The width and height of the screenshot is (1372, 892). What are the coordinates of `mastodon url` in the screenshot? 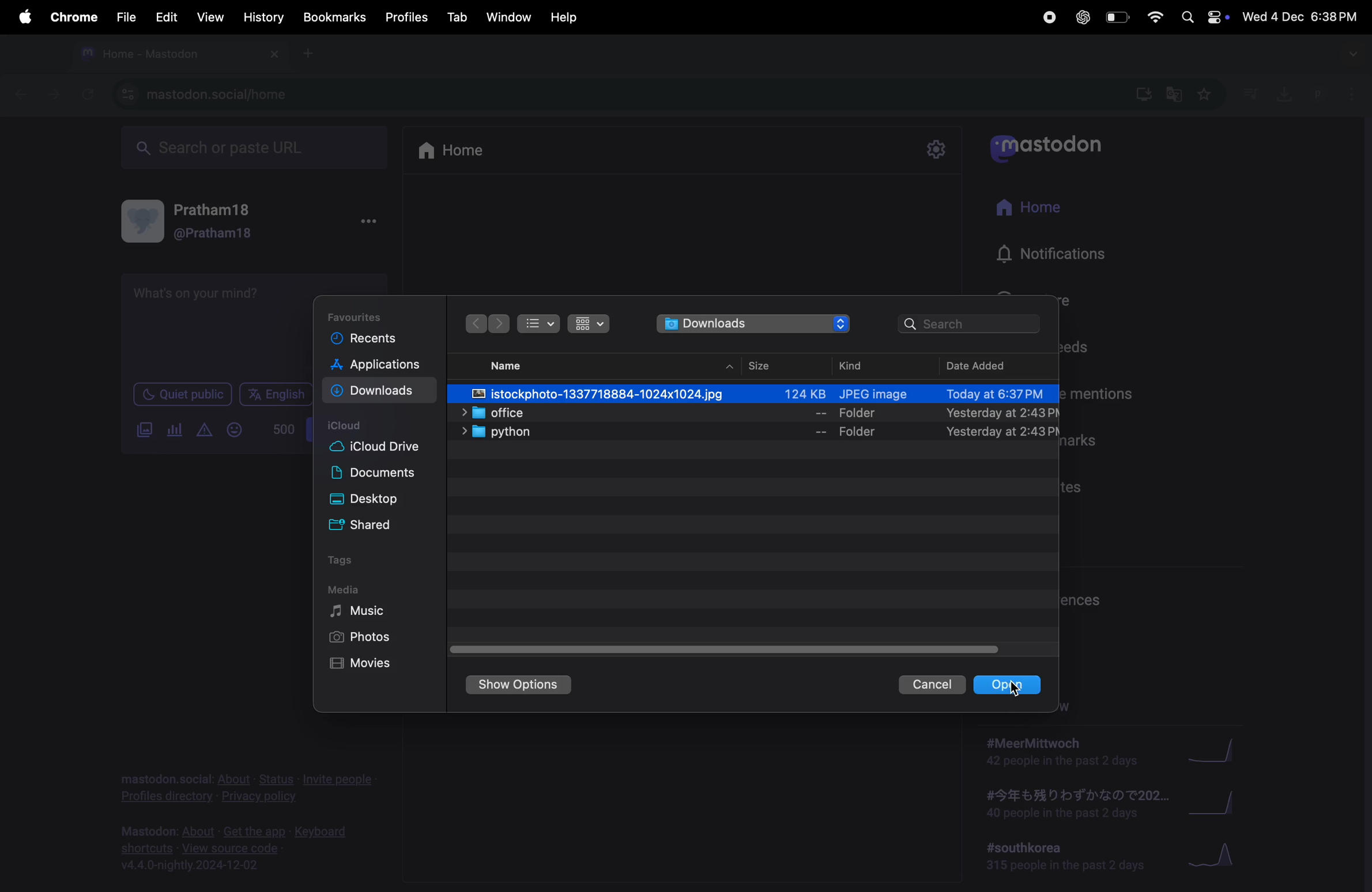 It's located at (203, 94).